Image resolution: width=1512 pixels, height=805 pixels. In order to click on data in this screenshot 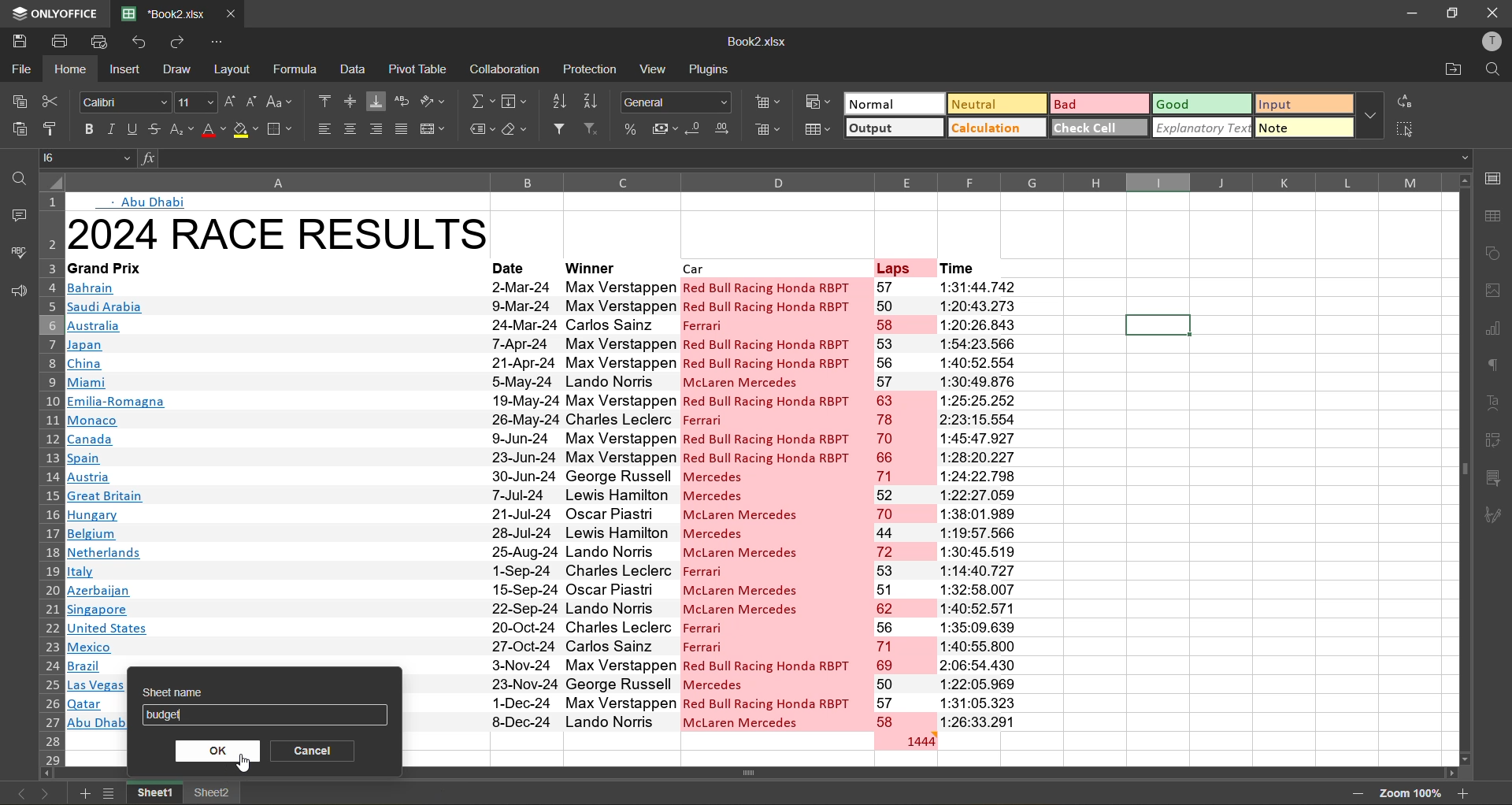, I will do `click(354, 72)`.